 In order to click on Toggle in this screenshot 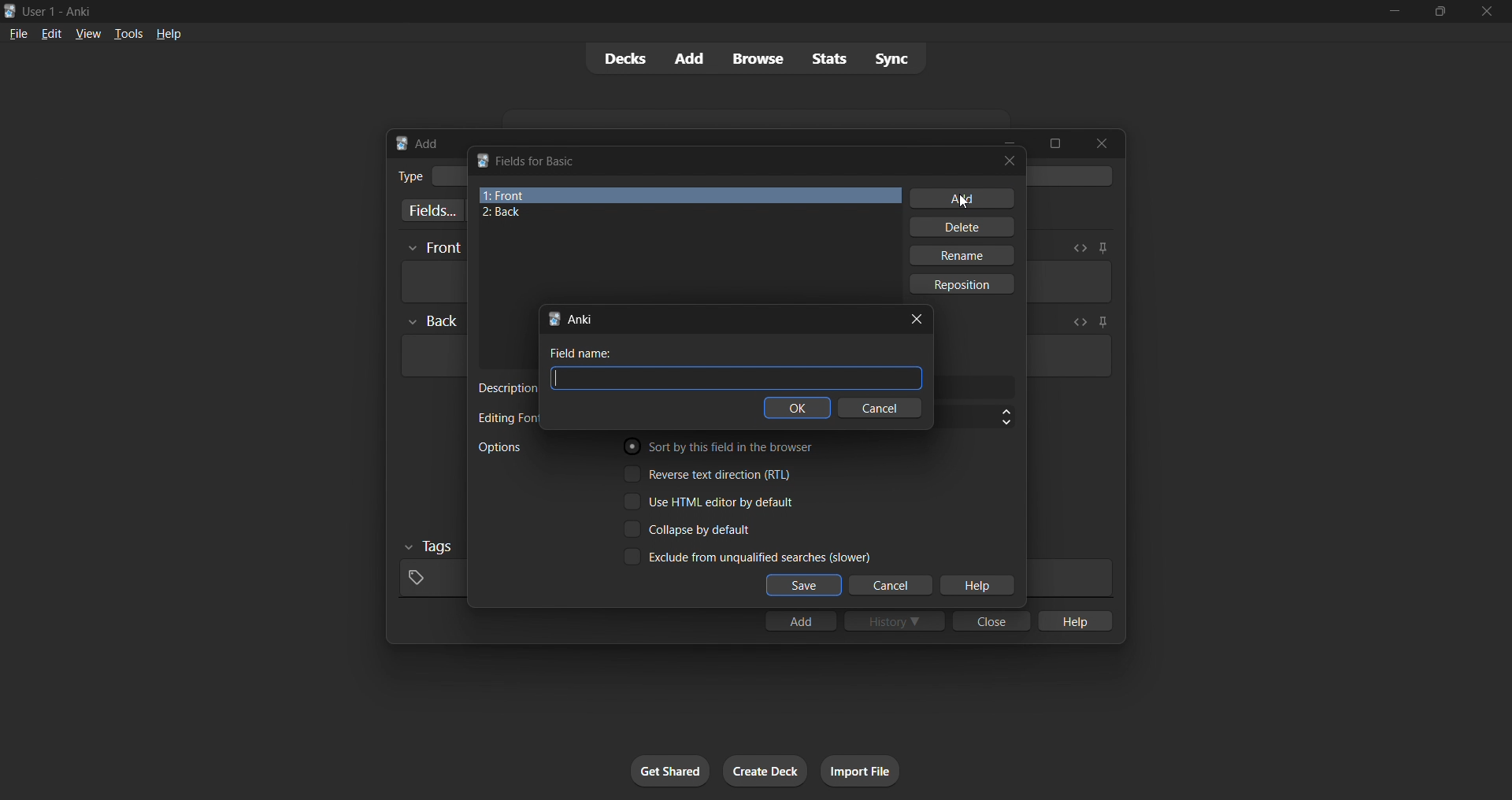, I will do `click(690, 529)`.